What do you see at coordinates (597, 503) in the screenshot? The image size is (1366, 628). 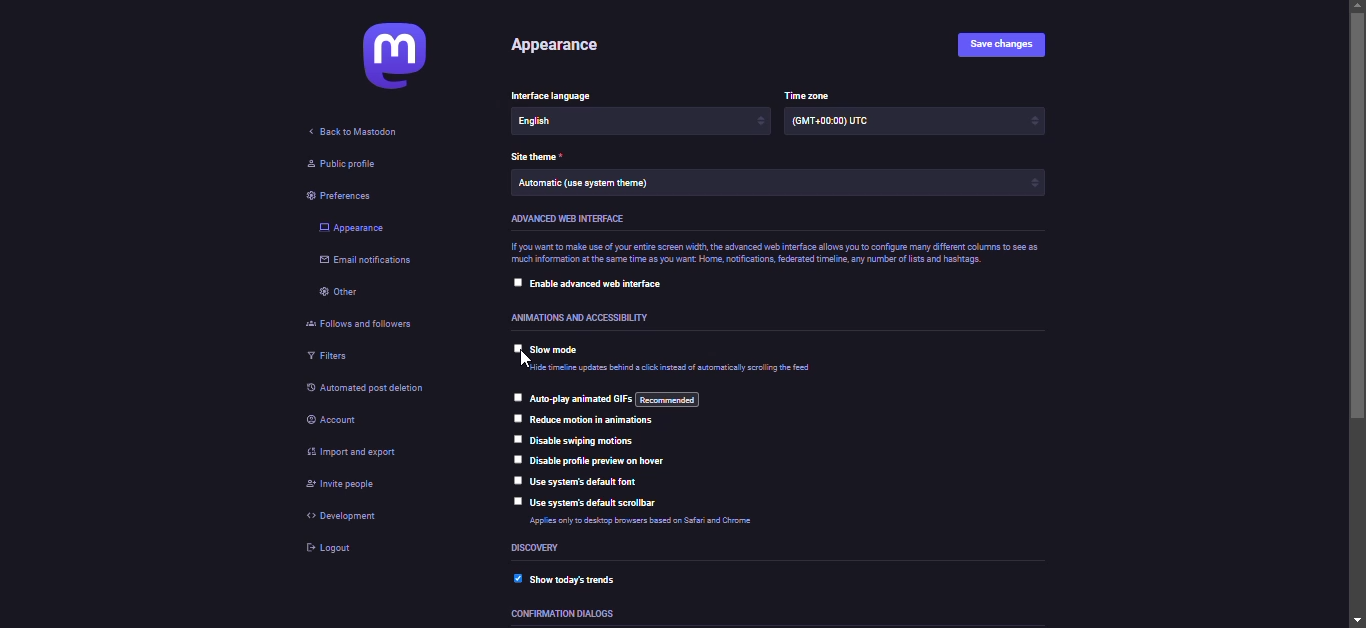 I see `use system's default scrollbar` at bounding box center [597, 503].